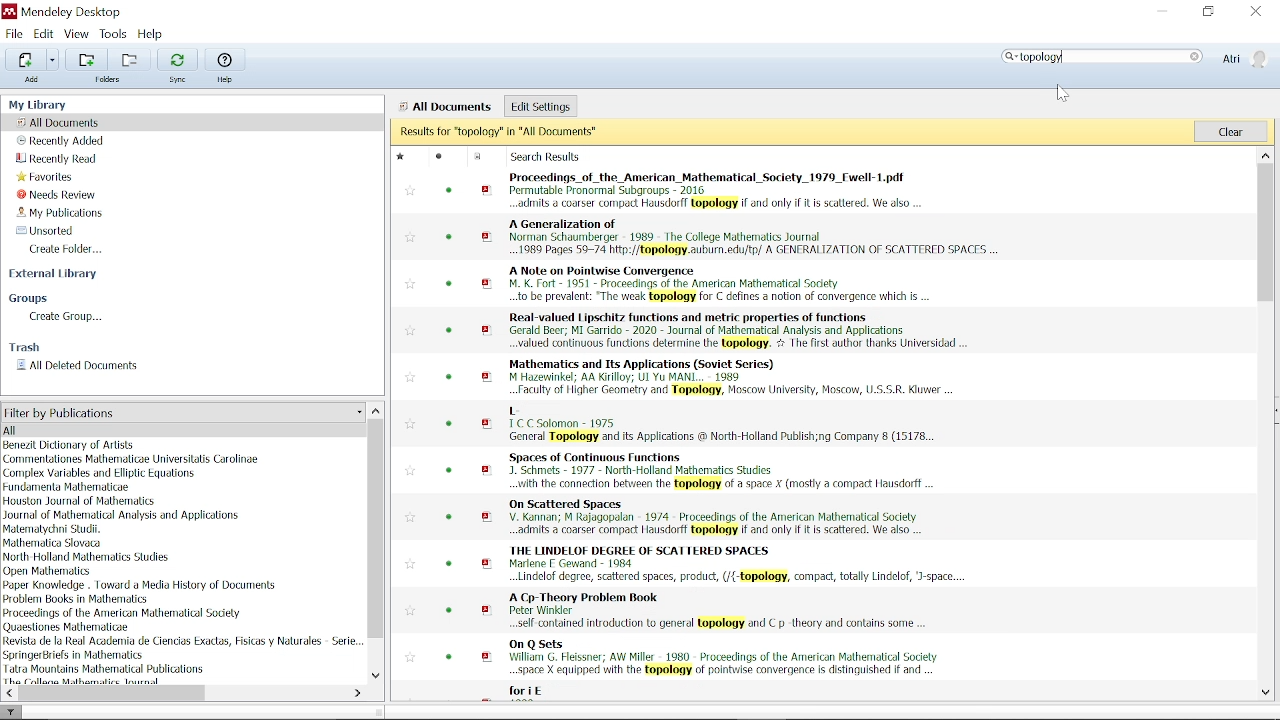 The image size is (1280, 720). I want to click on author, so click(87, 556).